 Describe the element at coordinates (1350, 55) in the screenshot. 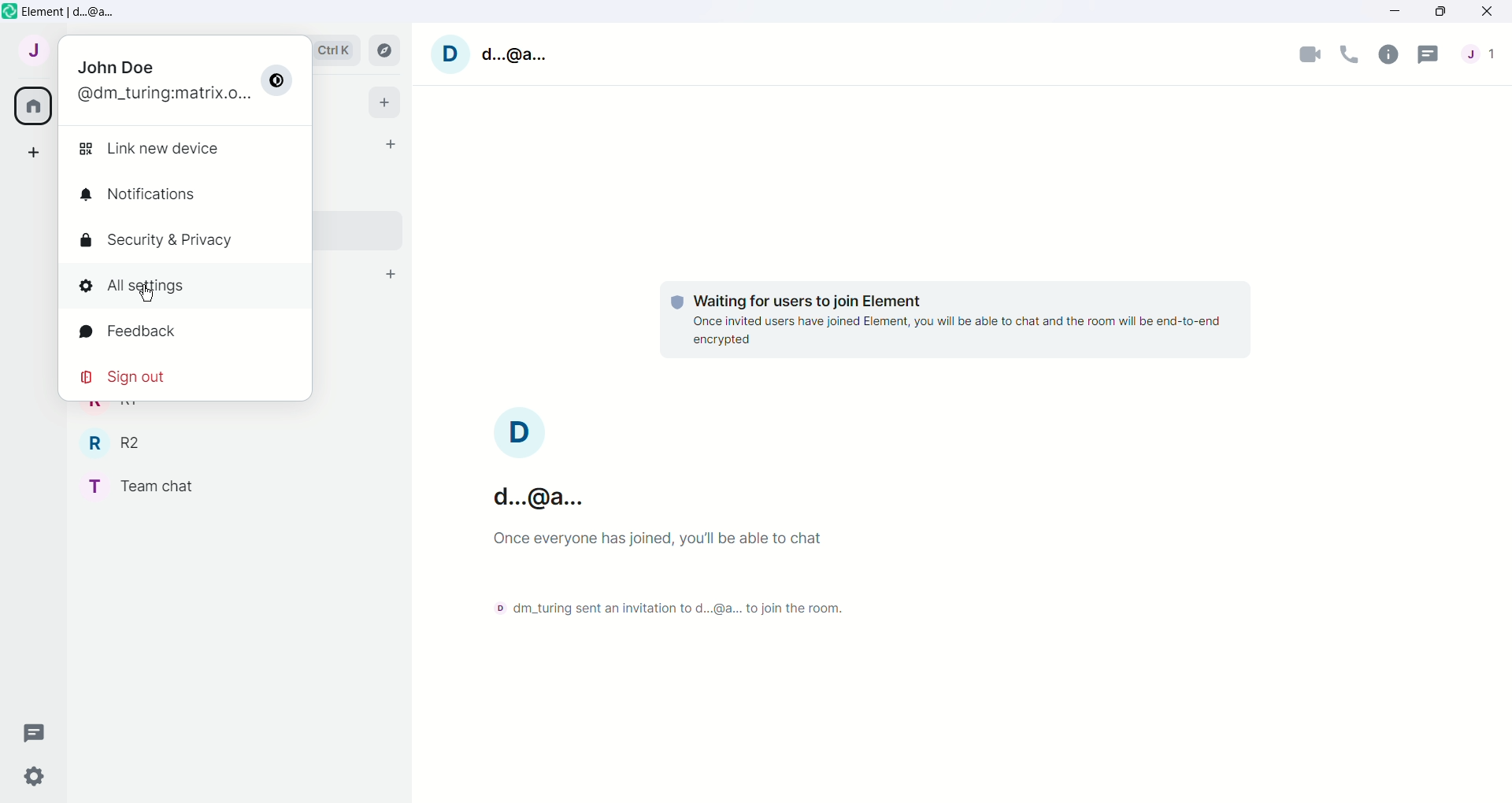

I see `Voice call` at that location.